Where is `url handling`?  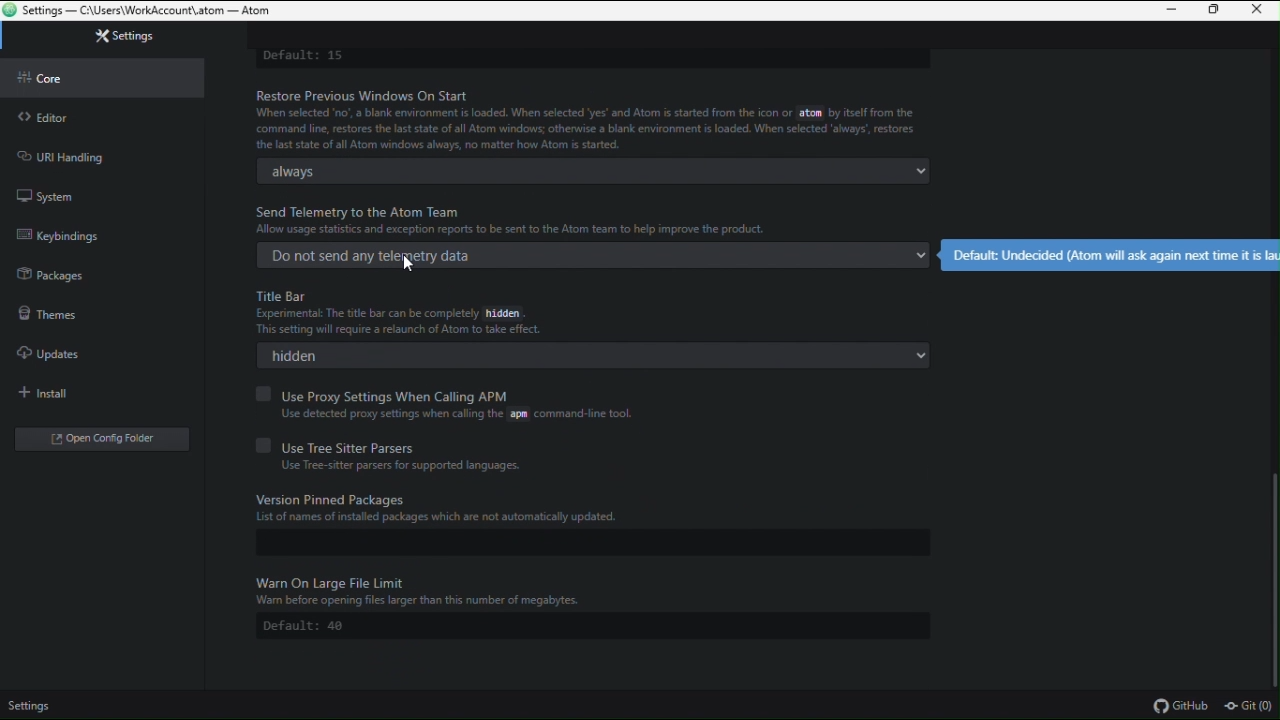 url handling is located at coordinates (105, 154).